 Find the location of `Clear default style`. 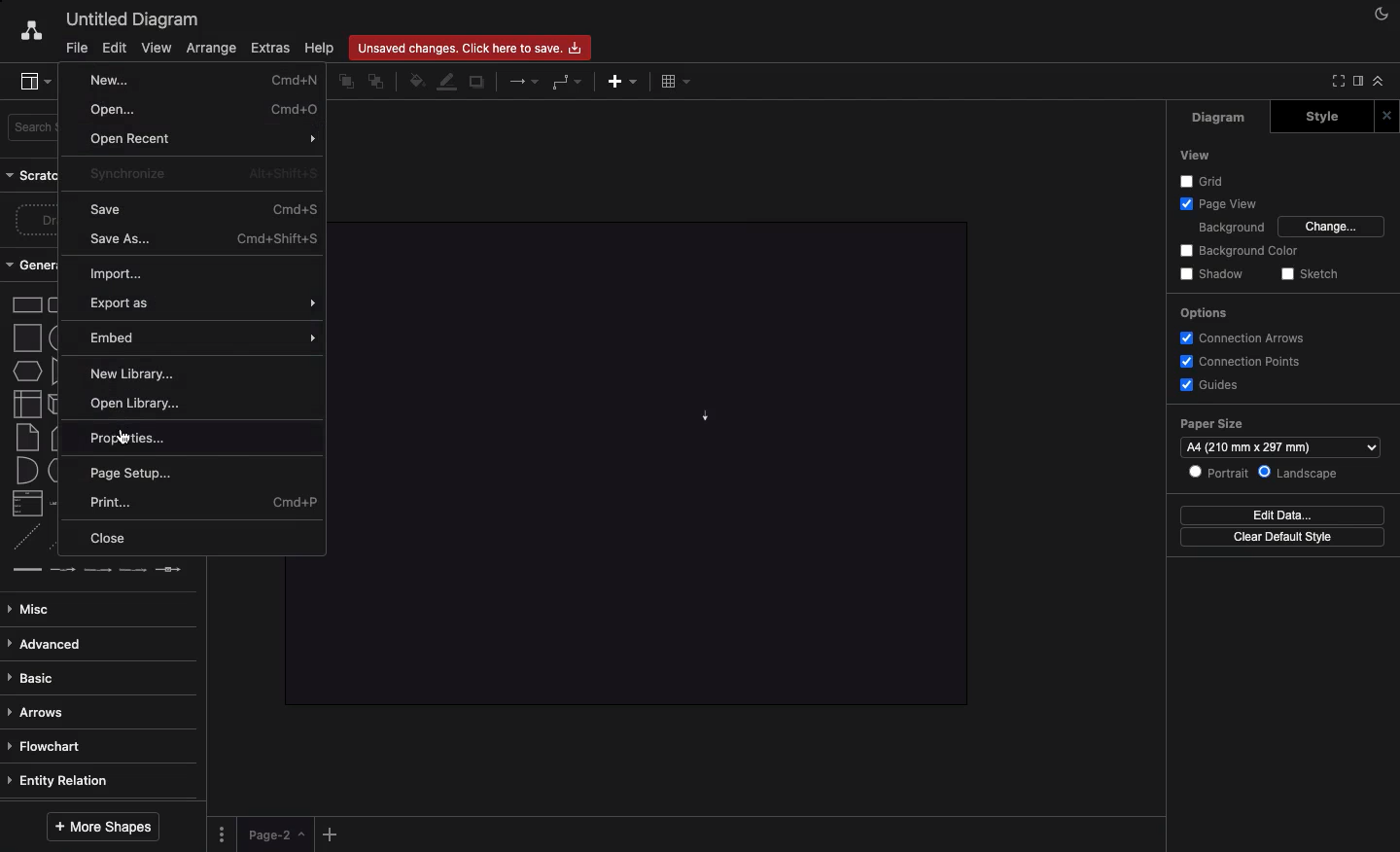

Clear default style is located at coordinates (1282, 538).